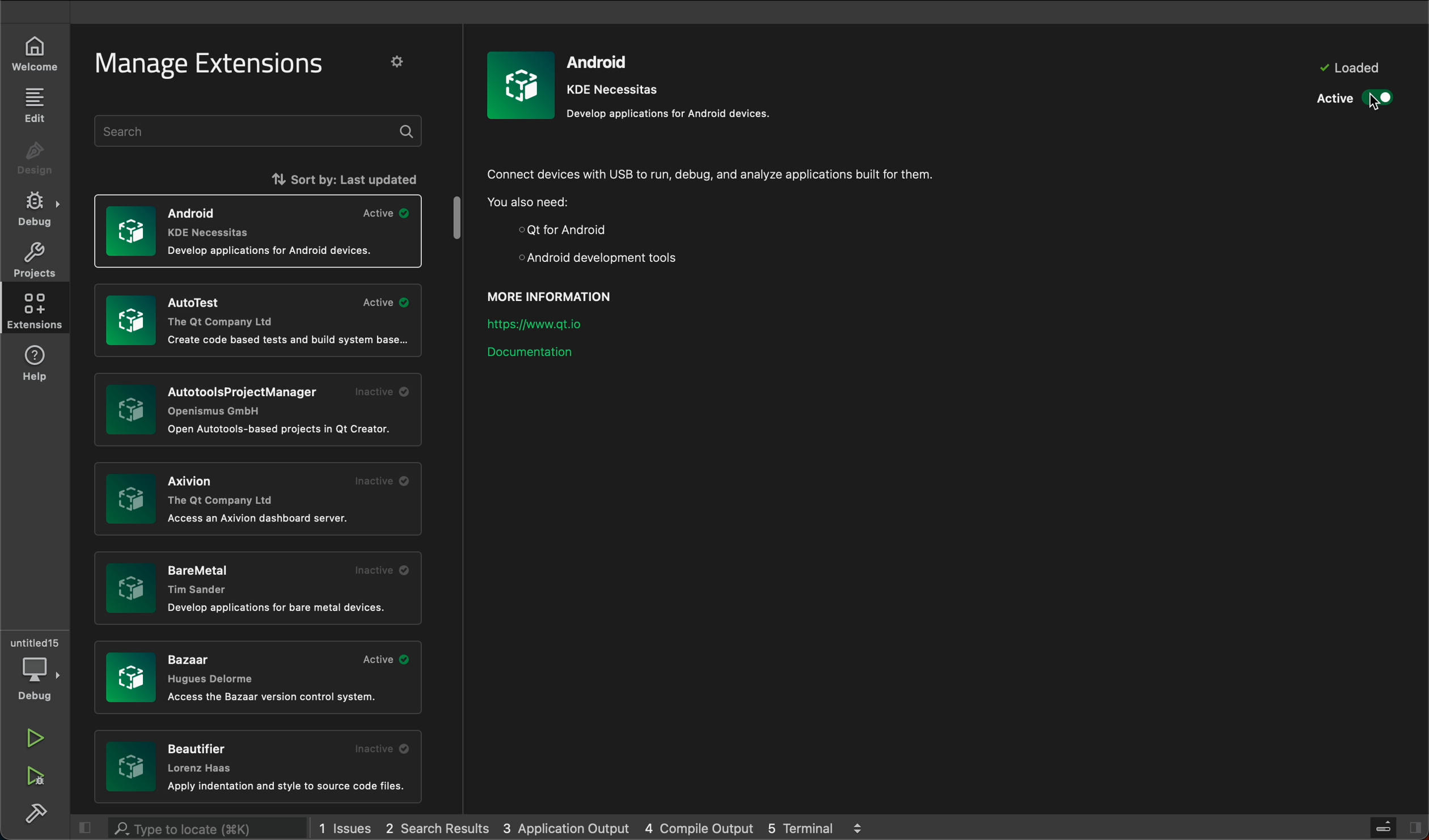 Image resolution: width=1429 pixels, height=840 pixels. I want to click on cursor, so click(1373, 105).